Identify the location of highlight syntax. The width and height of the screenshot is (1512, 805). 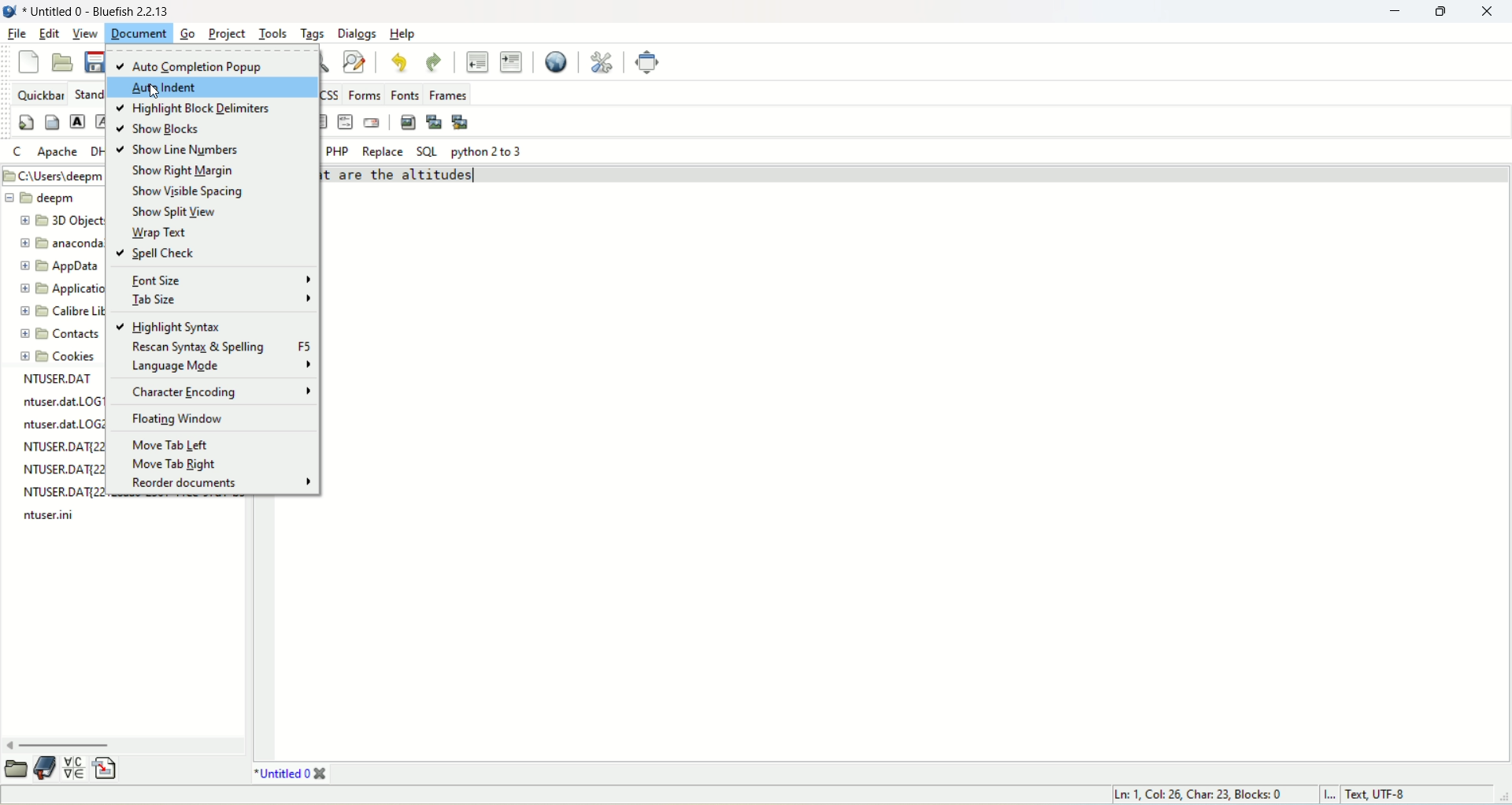
(168, 325).